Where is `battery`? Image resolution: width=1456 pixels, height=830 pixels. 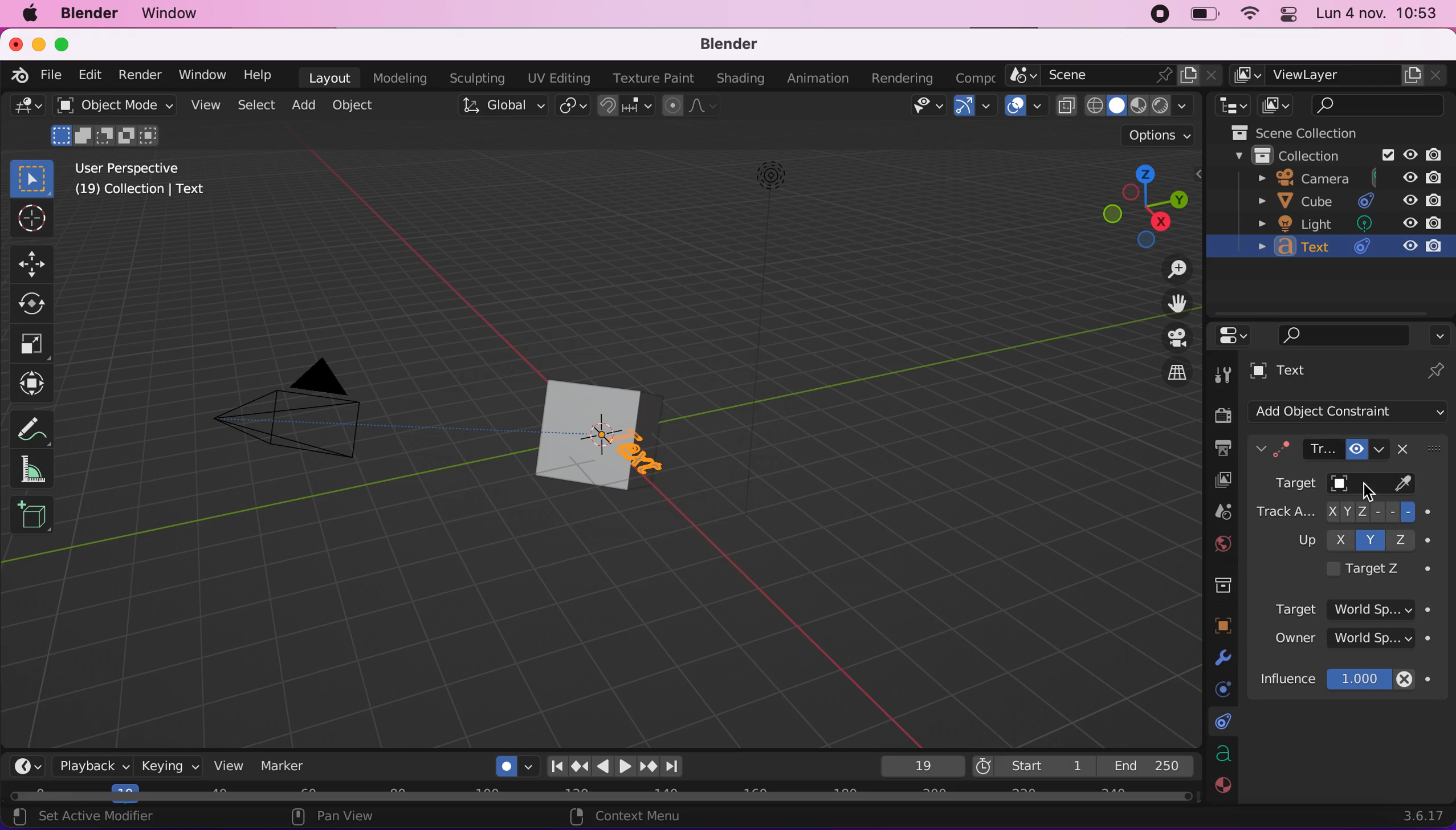 battery is located at coordinates (1203, 15).